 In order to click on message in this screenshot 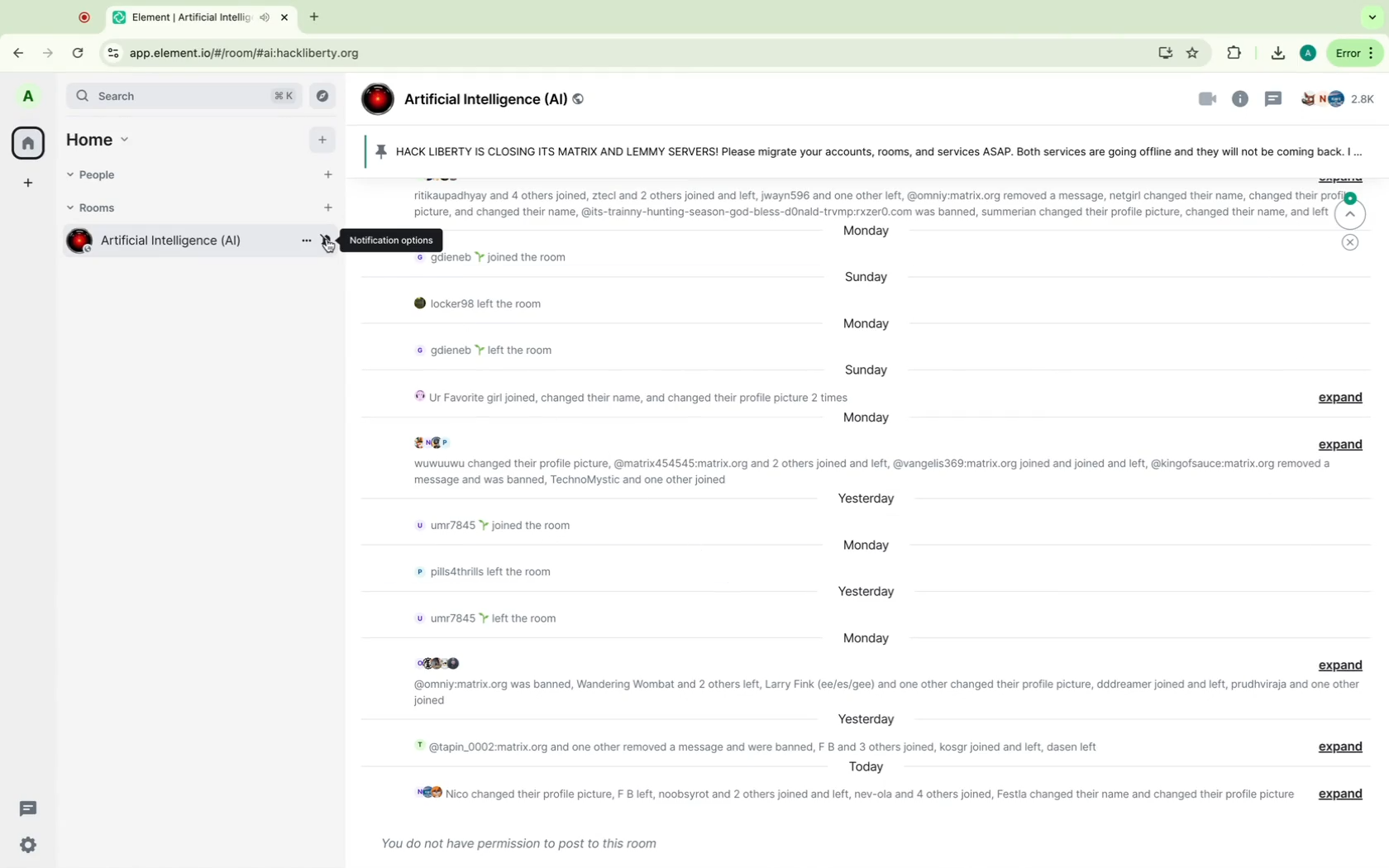, I will do `click(480, 351)`.